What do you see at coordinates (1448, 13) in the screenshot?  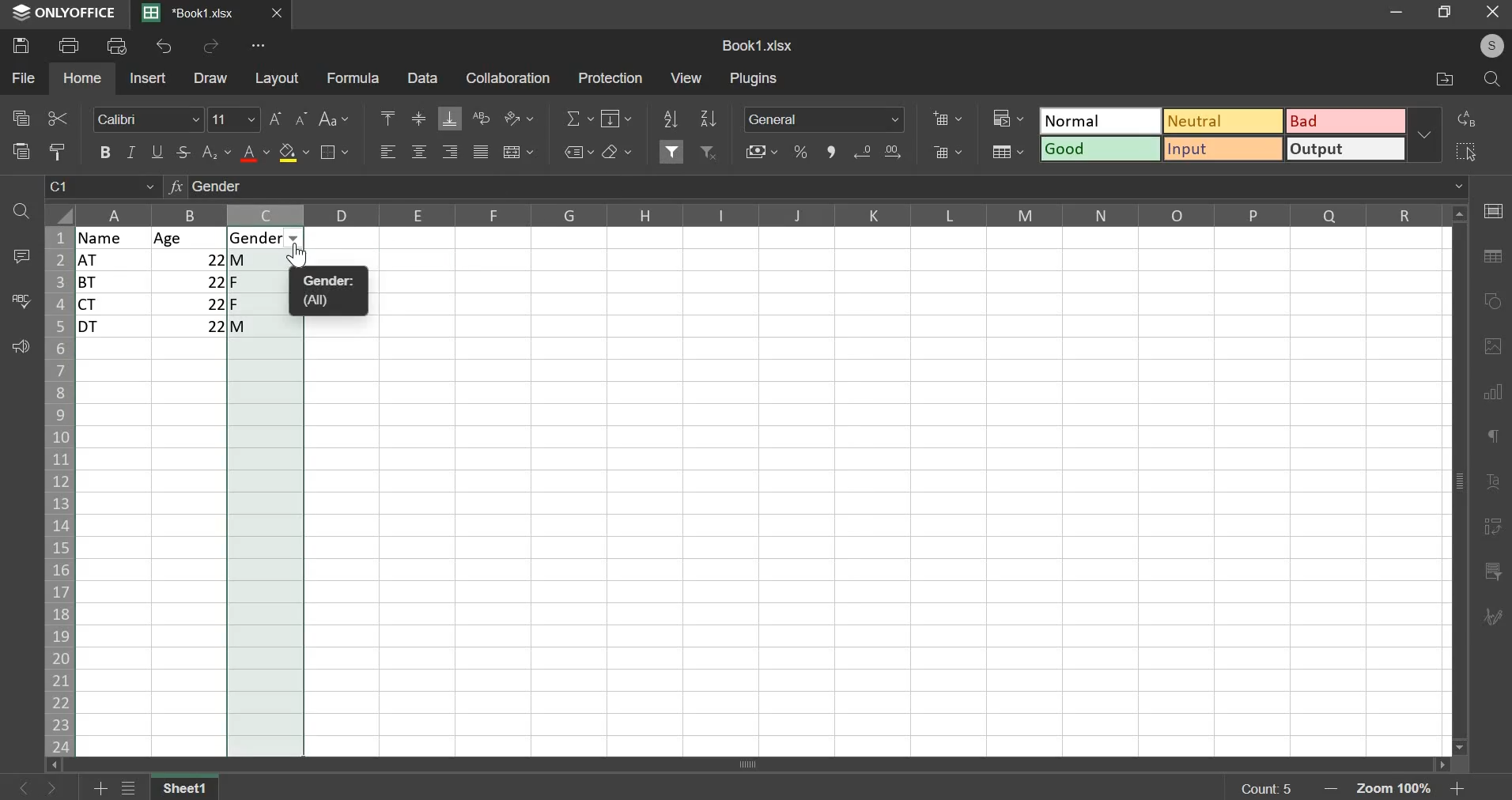 I see `restore` at bounding box center [1448, 13].